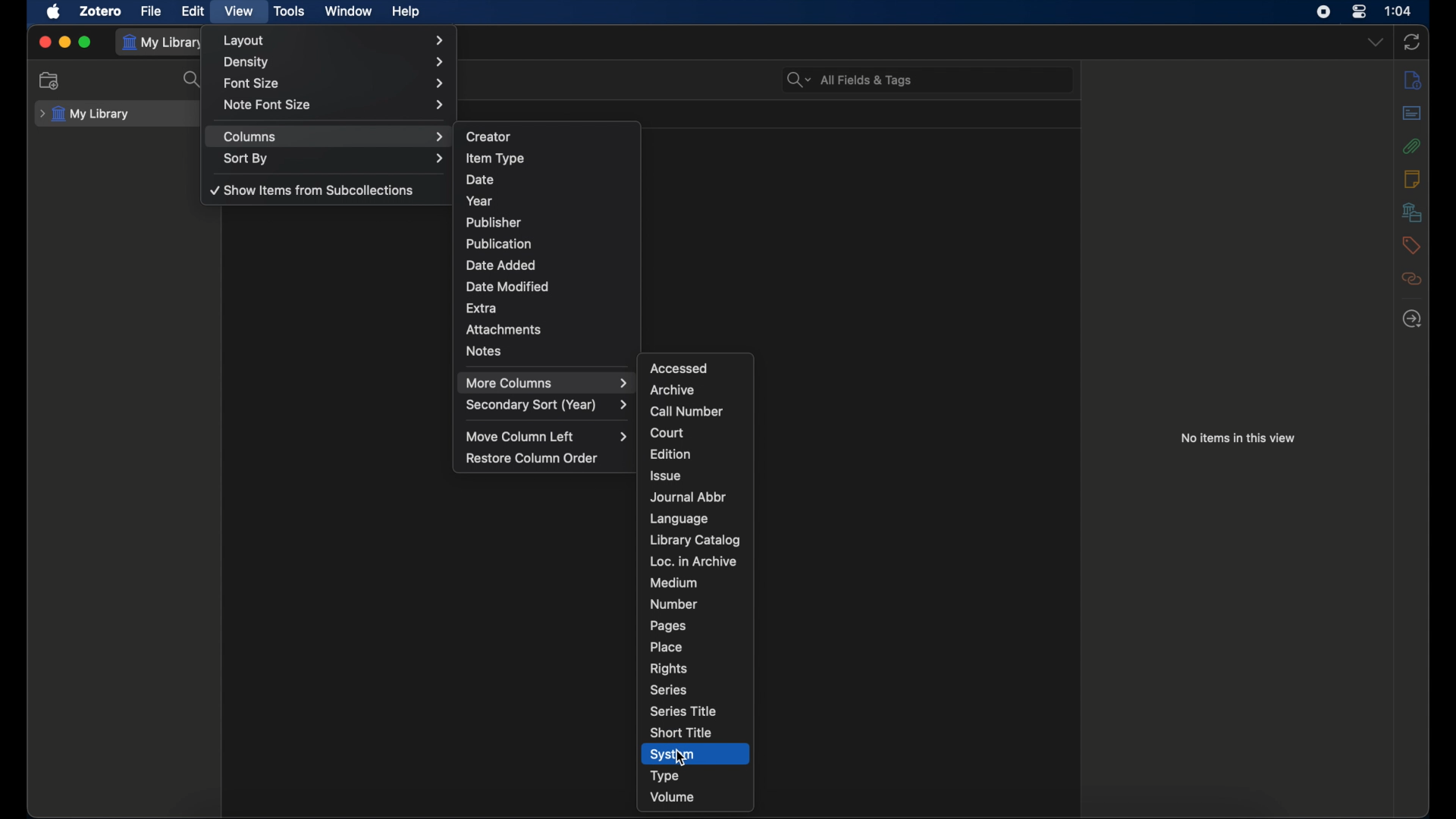  I want to click on related, so click(1411, 278).